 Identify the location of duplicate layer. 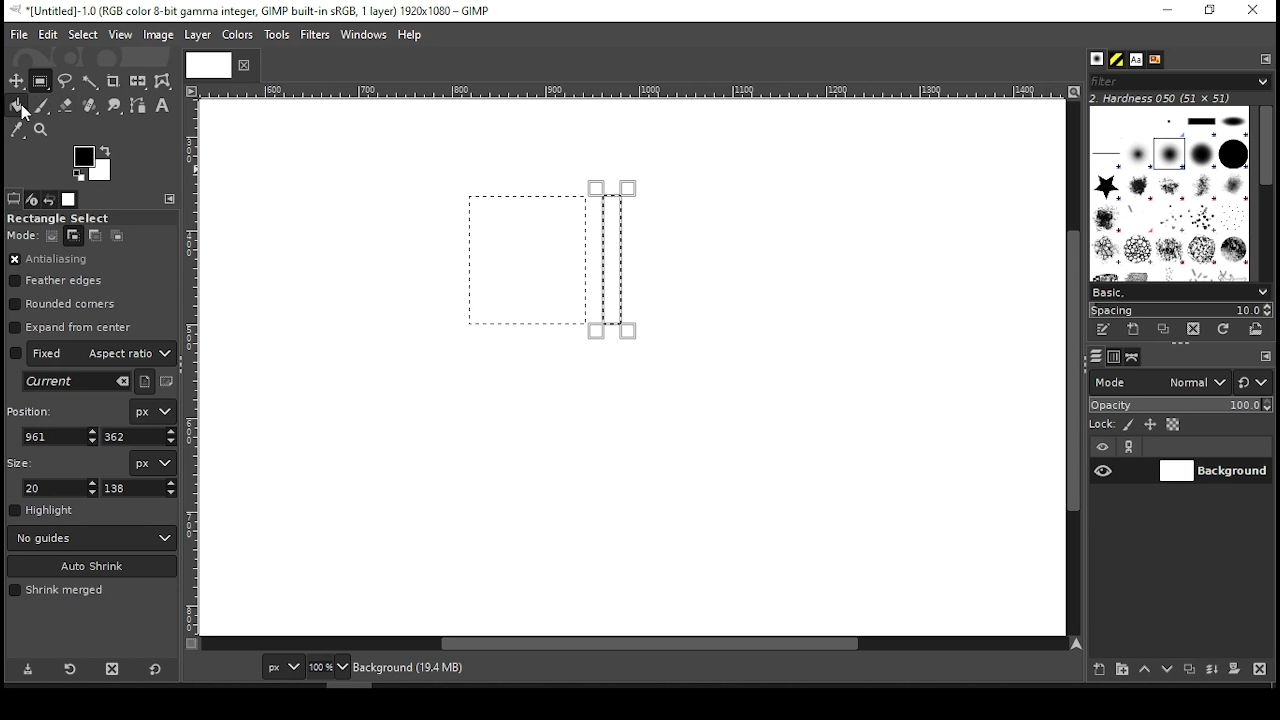
(1192, 671).